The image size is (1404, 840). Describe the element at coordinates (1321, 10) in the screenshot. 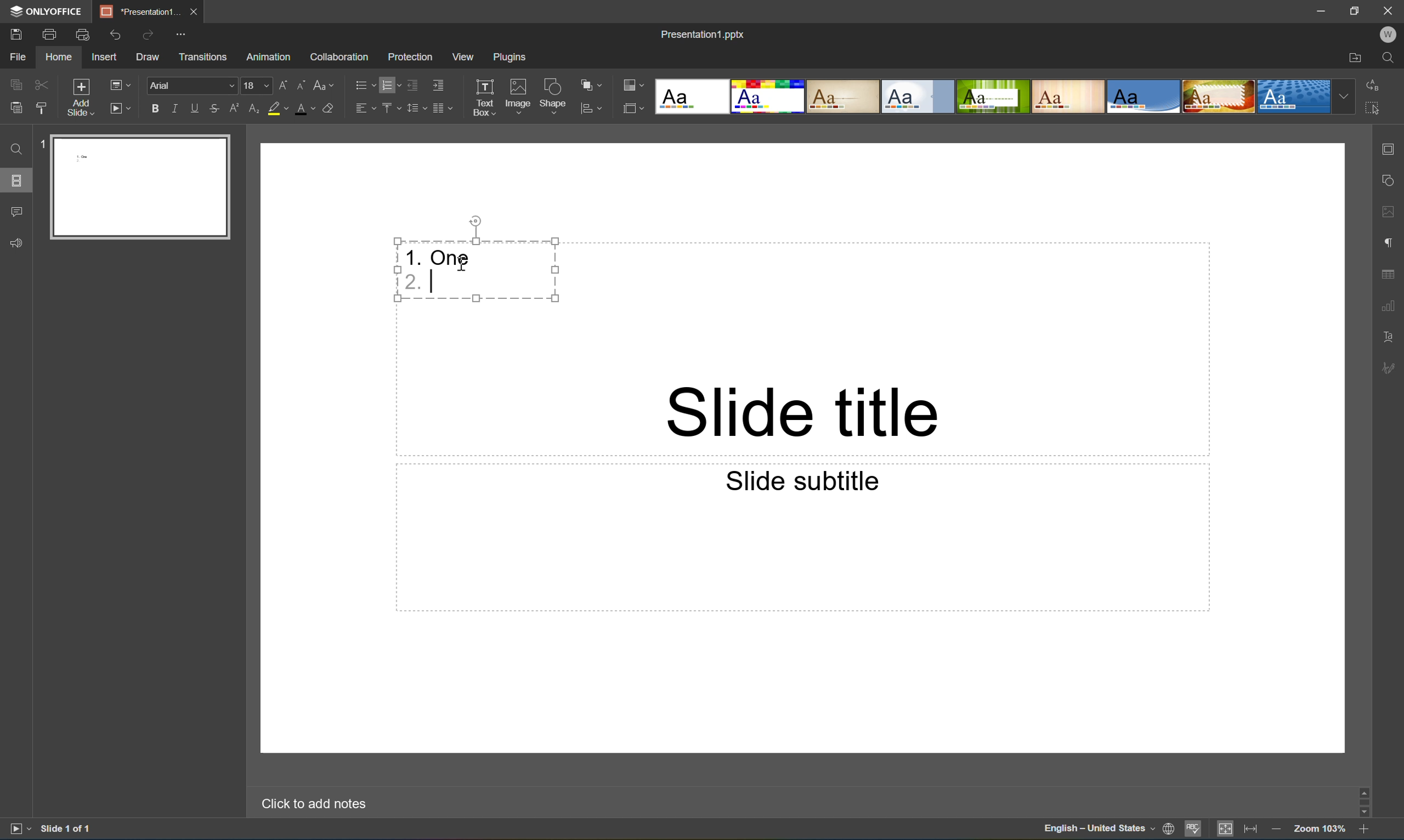

I see `Minimize` at that location.